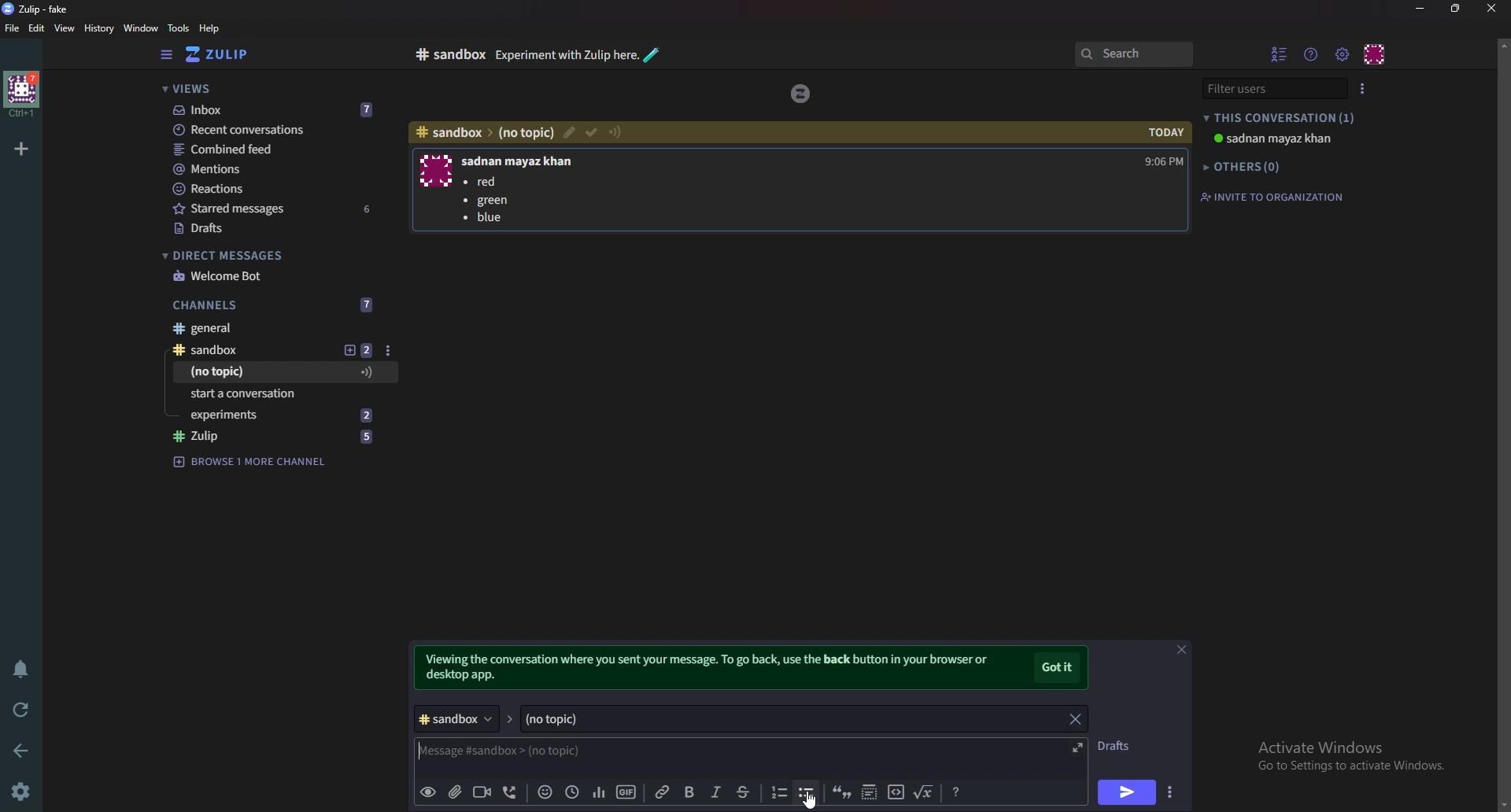 Image resolution: width=1511 pixels, height=812 pixels. Describe the element at coordinates (481, 791) in the screenshot. I see `Video call` at that location.